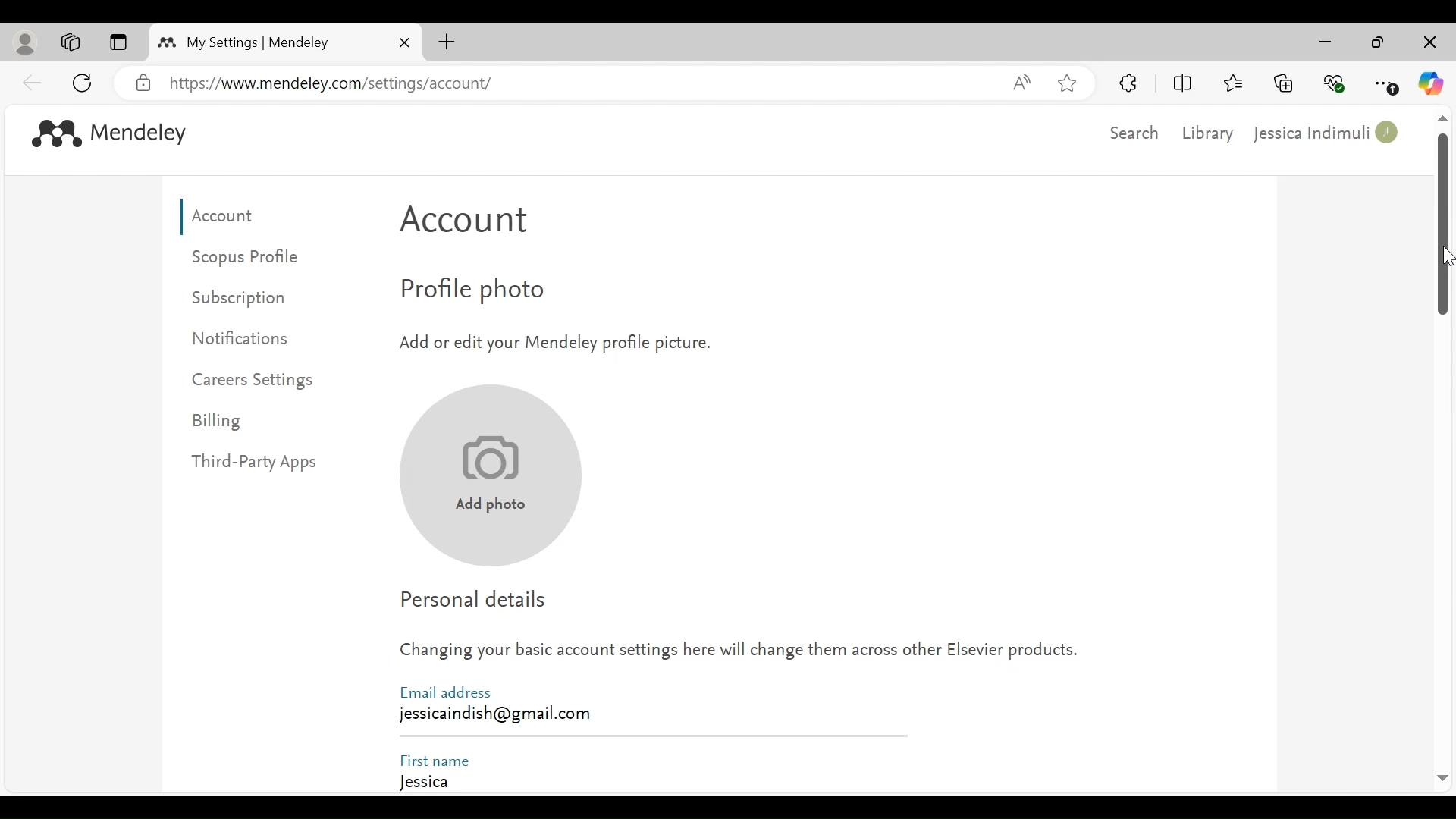 The image size is (1456, 819). I want to click on Vertical Scroll bar, so click(1443, 227).